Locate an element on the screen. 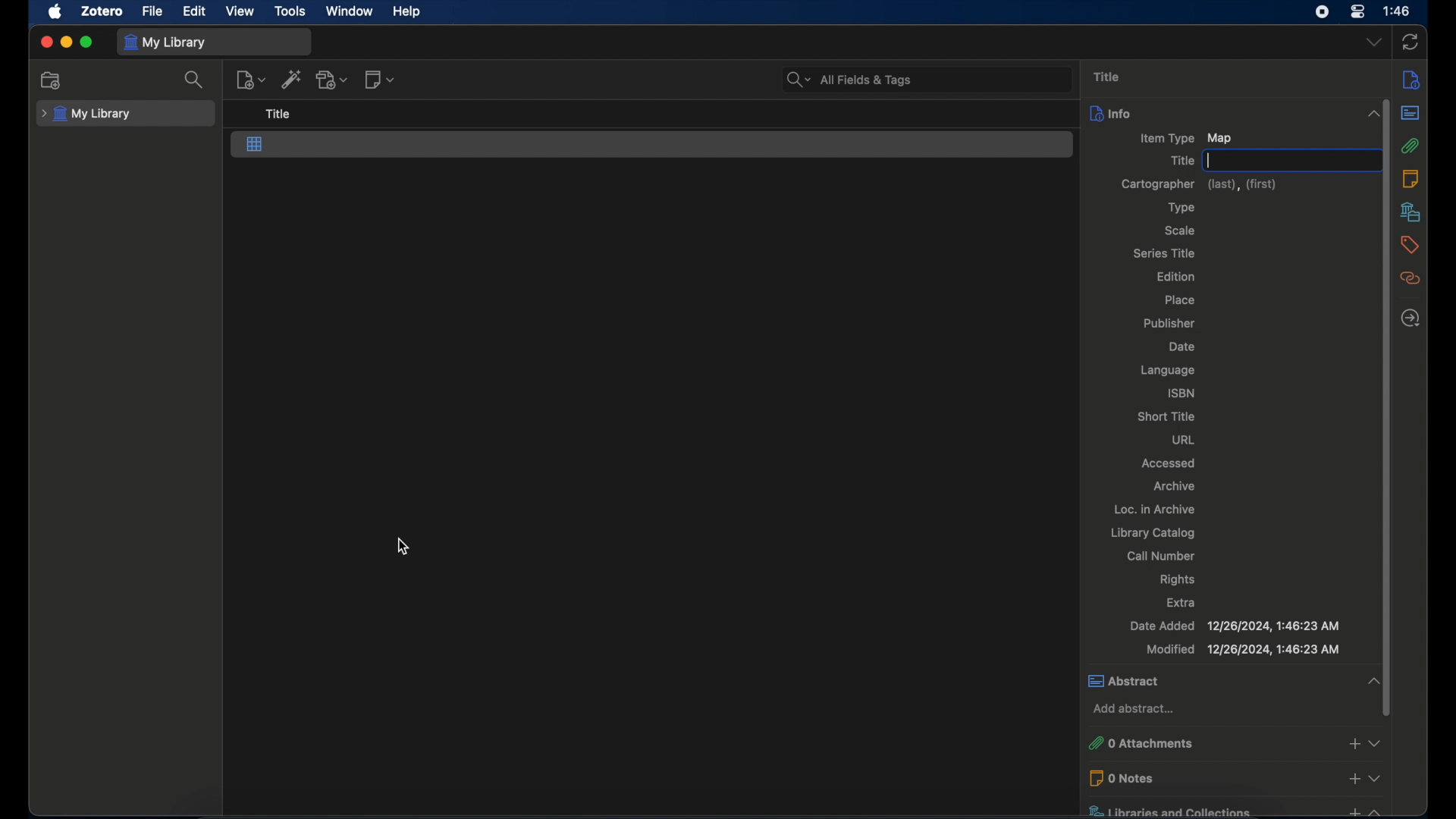  map is located at coordinates (255, 145).